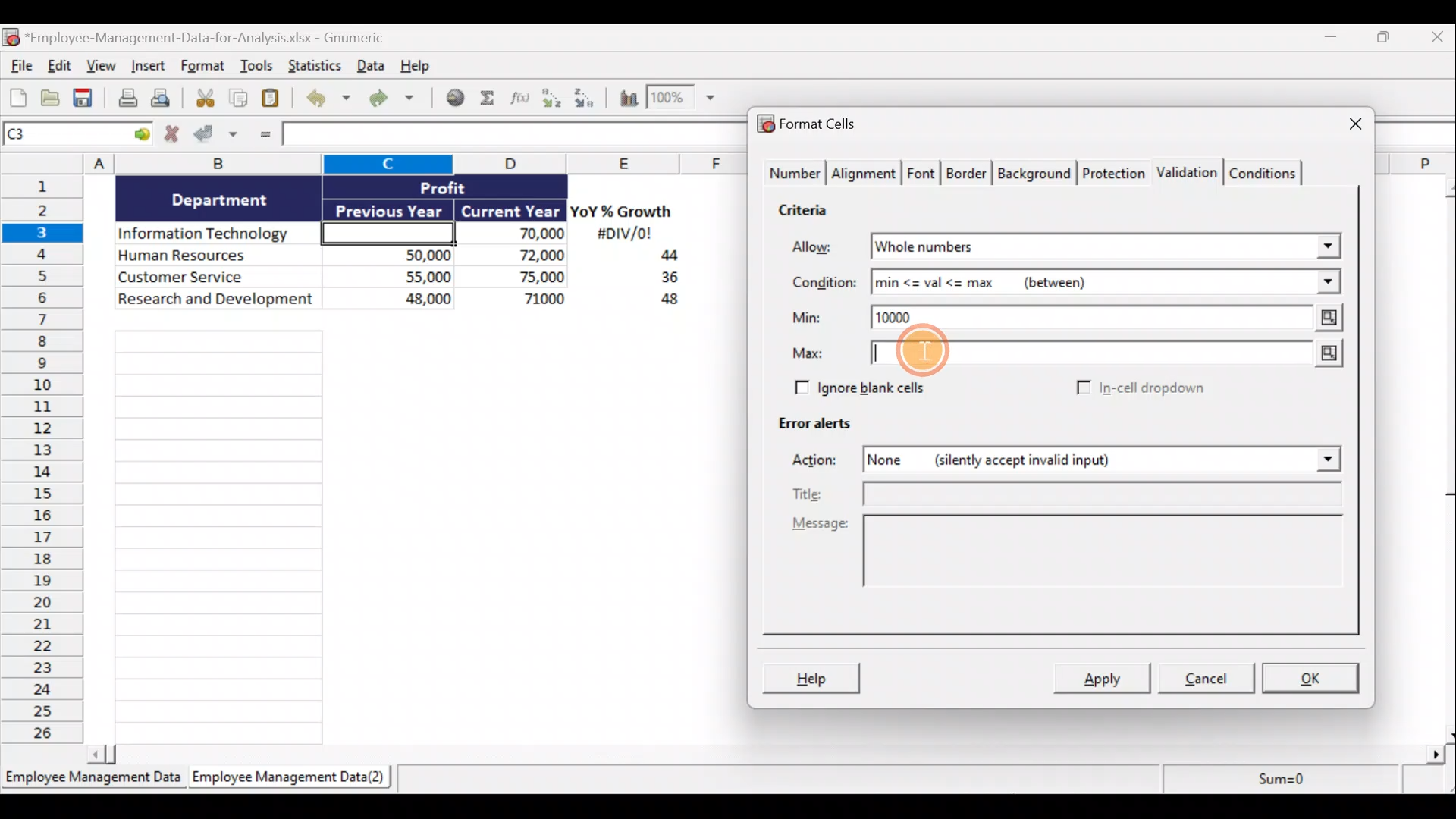 The width and height of the screenshot is (1456, 819). I want to click on Background, so click(1038, 174).